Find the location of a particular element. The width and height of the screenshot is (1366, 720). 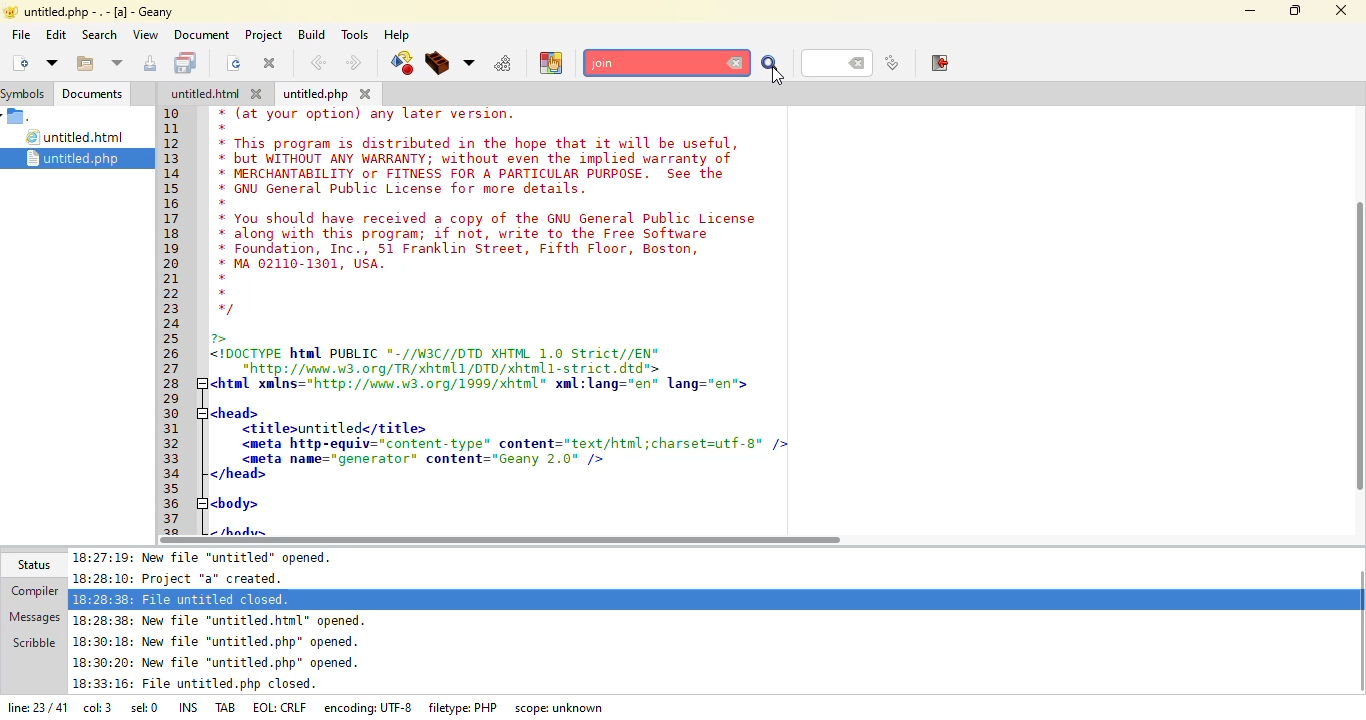

scroll bar is located at coordinates (500, 540).